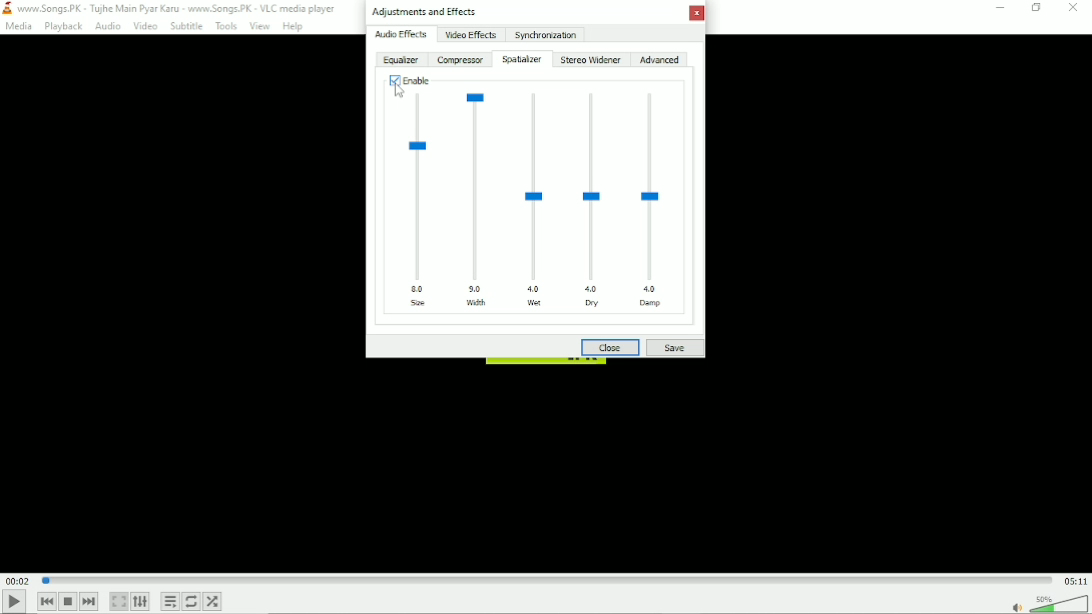  What do you see at coordinates (697, 13) in the screenshot?
I see `Close` at bounding box center [697, 13].